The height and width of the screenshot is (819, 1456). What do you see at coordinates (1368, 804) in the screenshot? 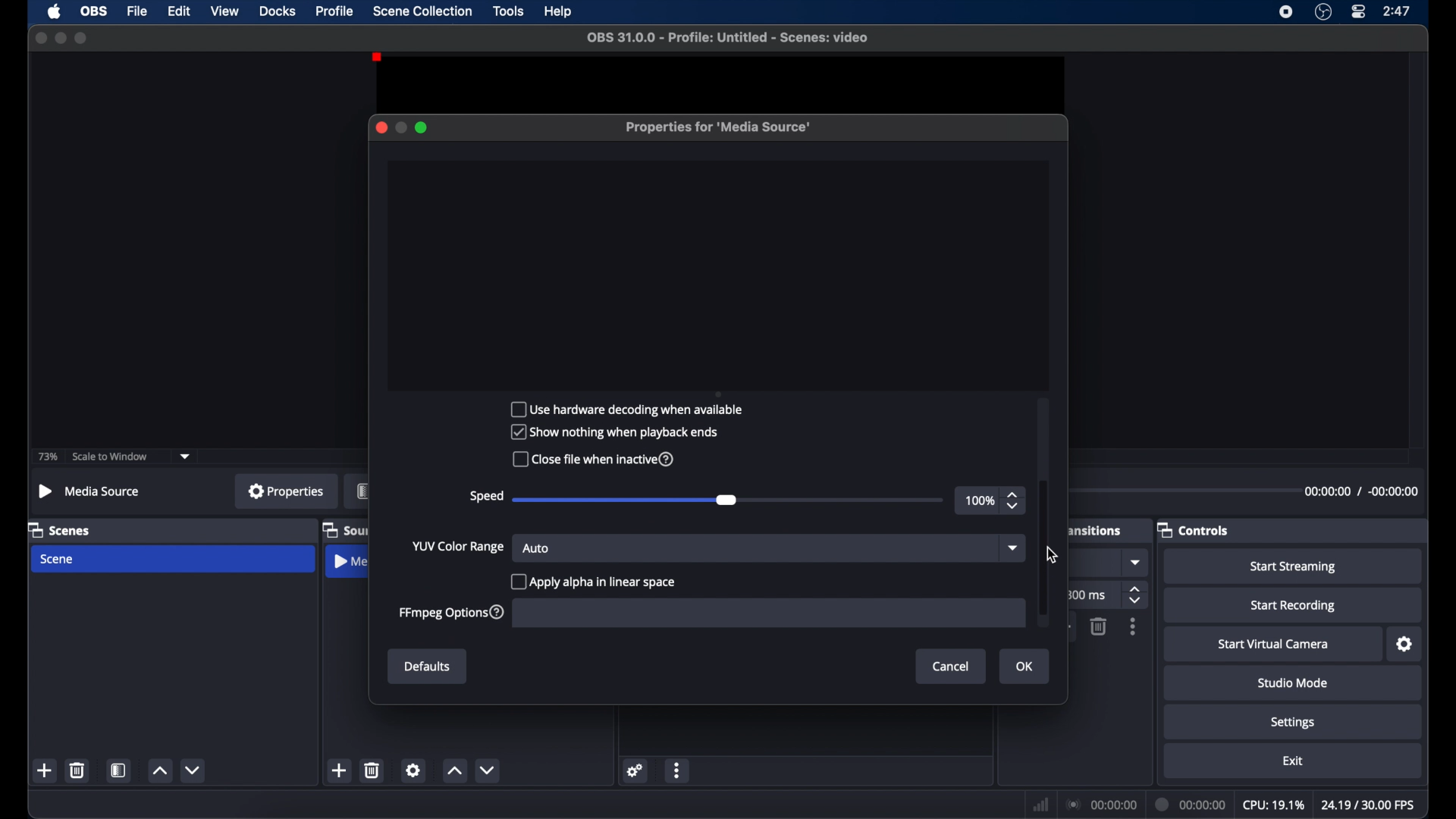
I see `fps` at bounding box center [1368, 804].